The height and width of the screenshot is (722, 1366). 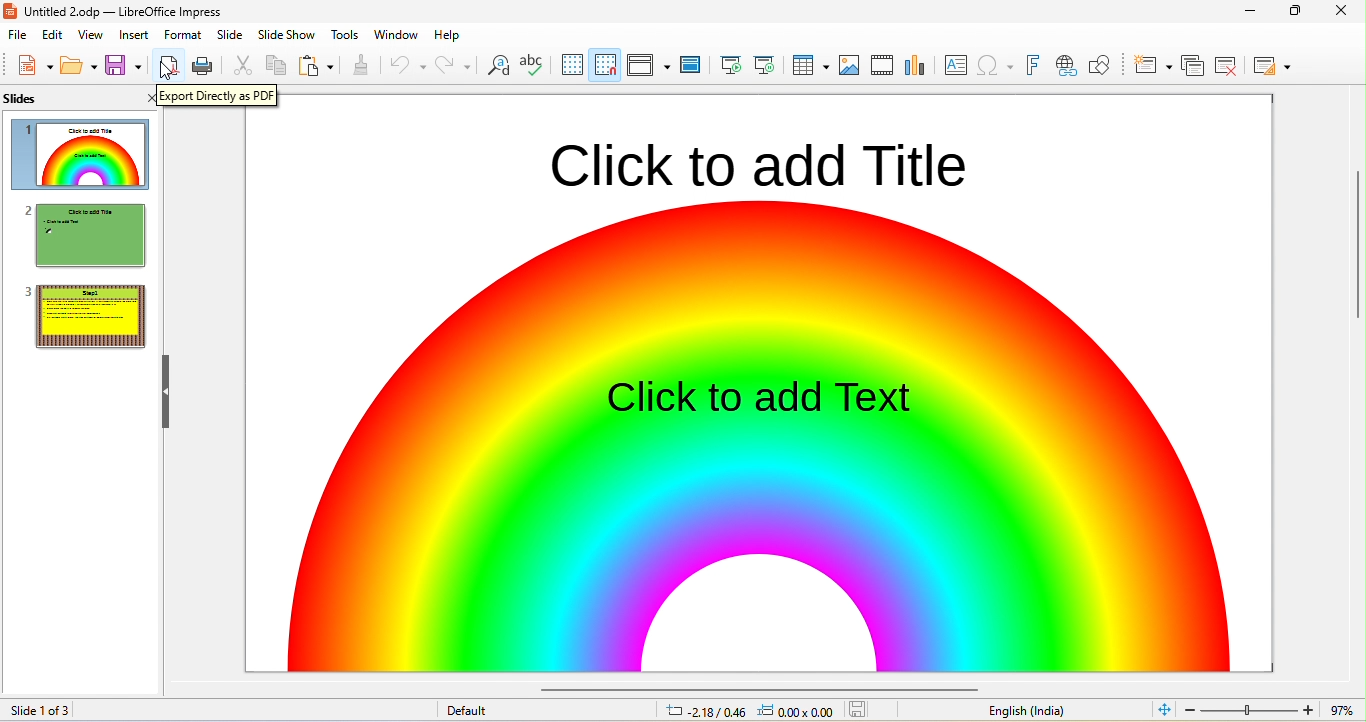 I want to click on format, so click(x=184, y=35).